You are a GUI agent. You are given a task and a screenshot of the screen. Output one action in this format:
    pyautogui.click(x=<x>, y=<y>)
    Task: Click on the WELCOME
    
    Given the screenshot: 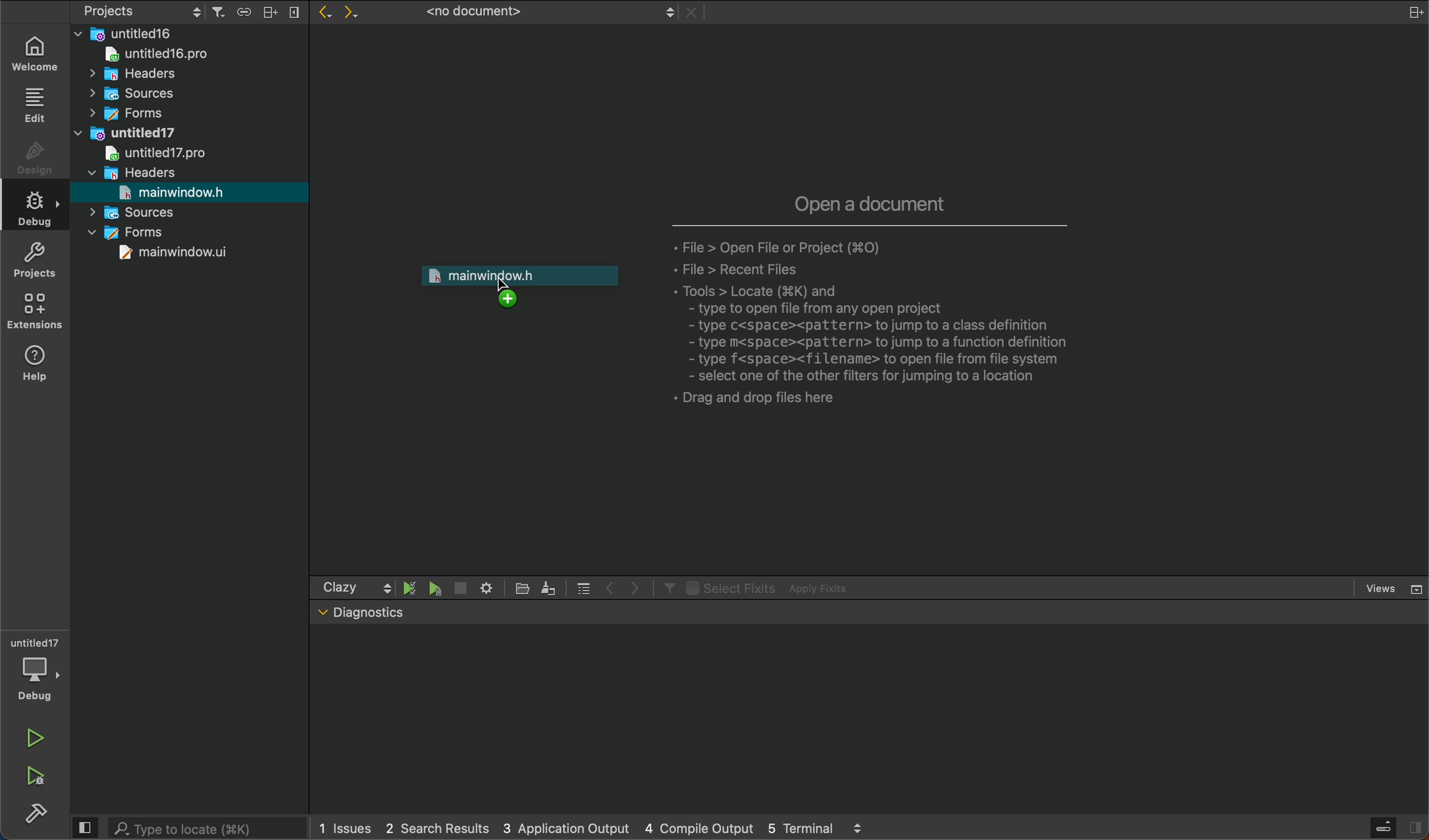 What is the action you would take?
    pyautogui.click(x=38, y=53)
    